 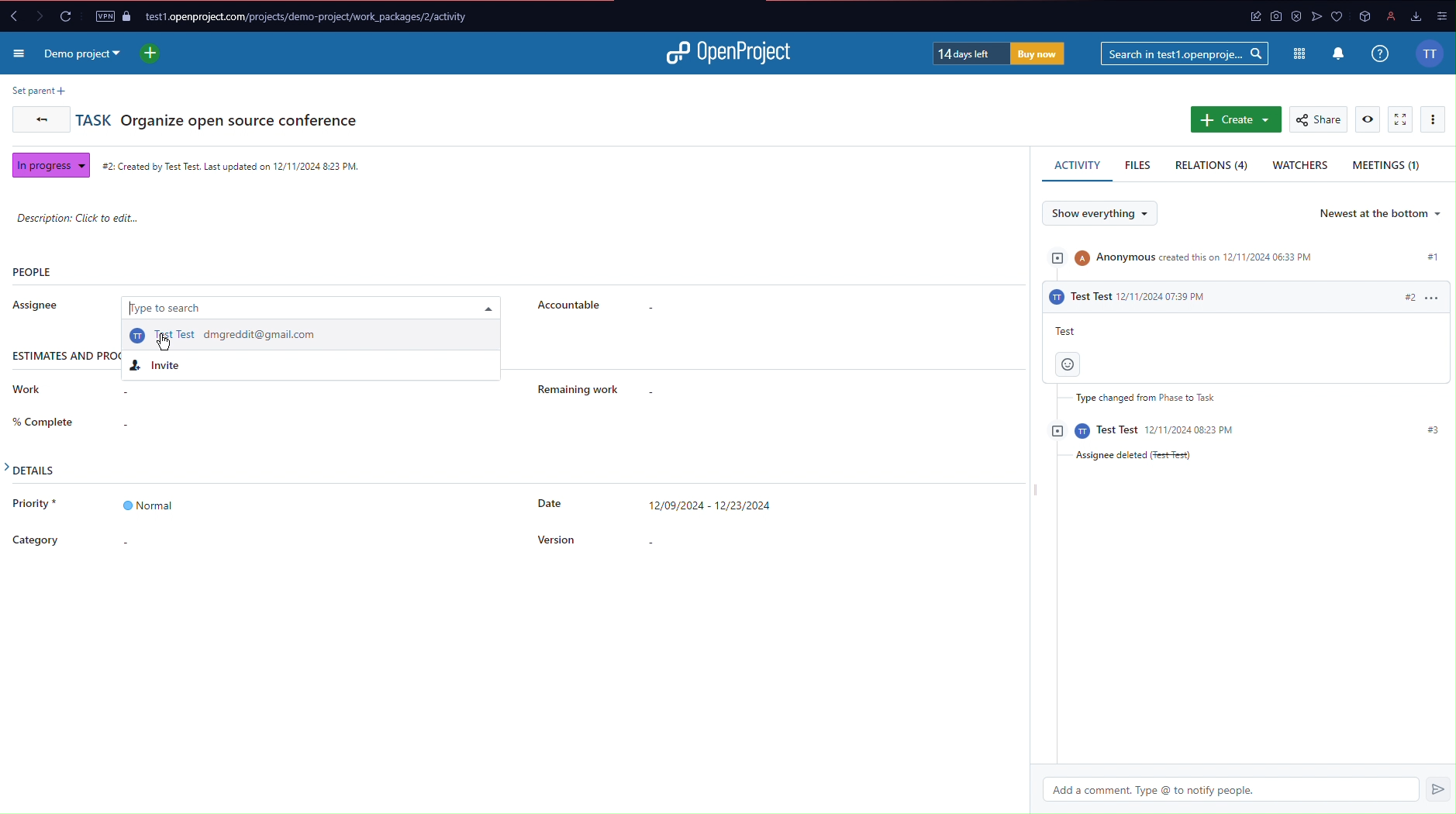 What do you see at coordinates (651, 499) in the screenshot?
I see `Date` at bounding box center [651, 499].